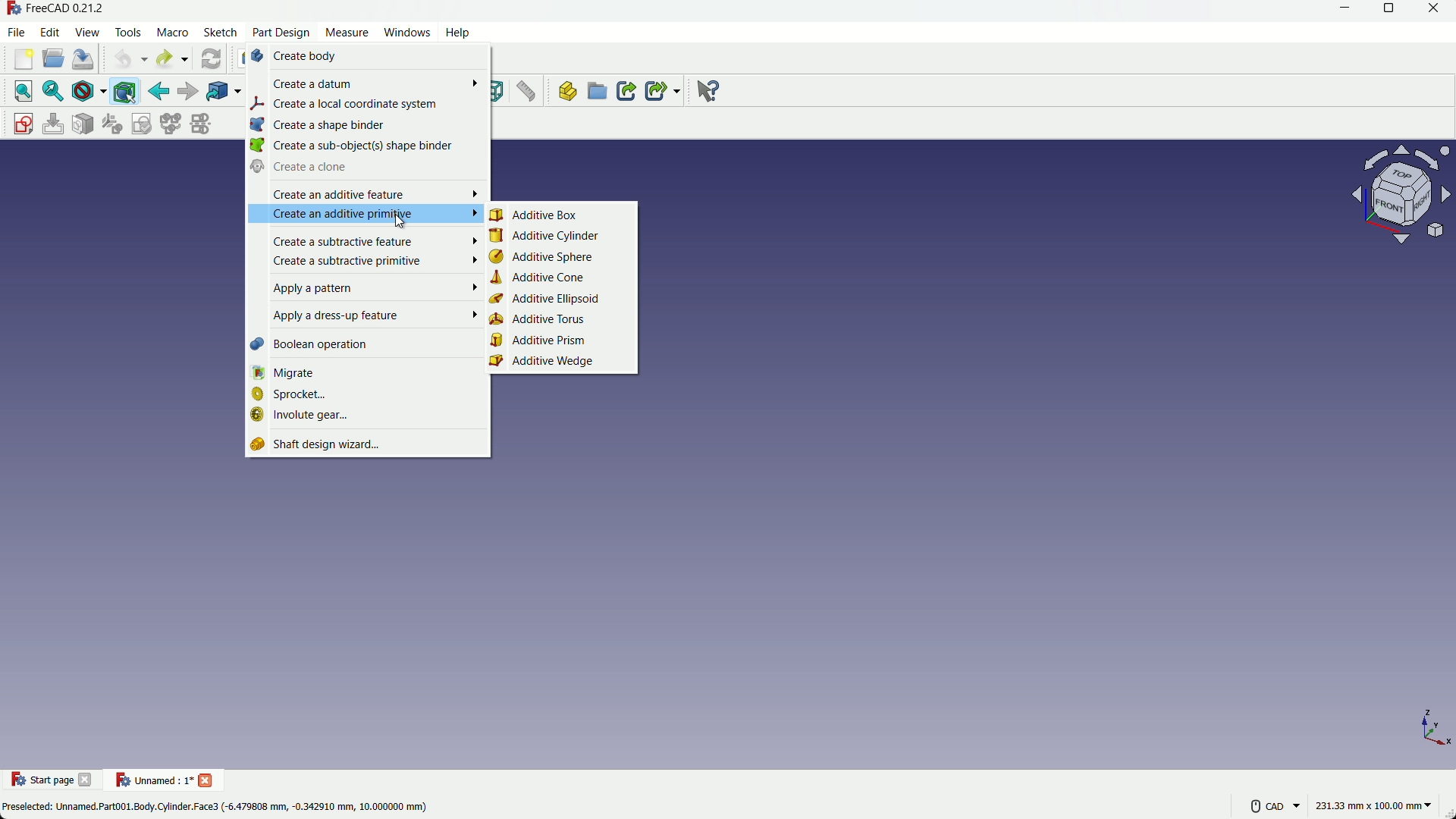 This screenshot has width=1456, height=819. Describe the element at coordinates (1404, 187) in the screenshot. I see `rotate or change view` at that location.